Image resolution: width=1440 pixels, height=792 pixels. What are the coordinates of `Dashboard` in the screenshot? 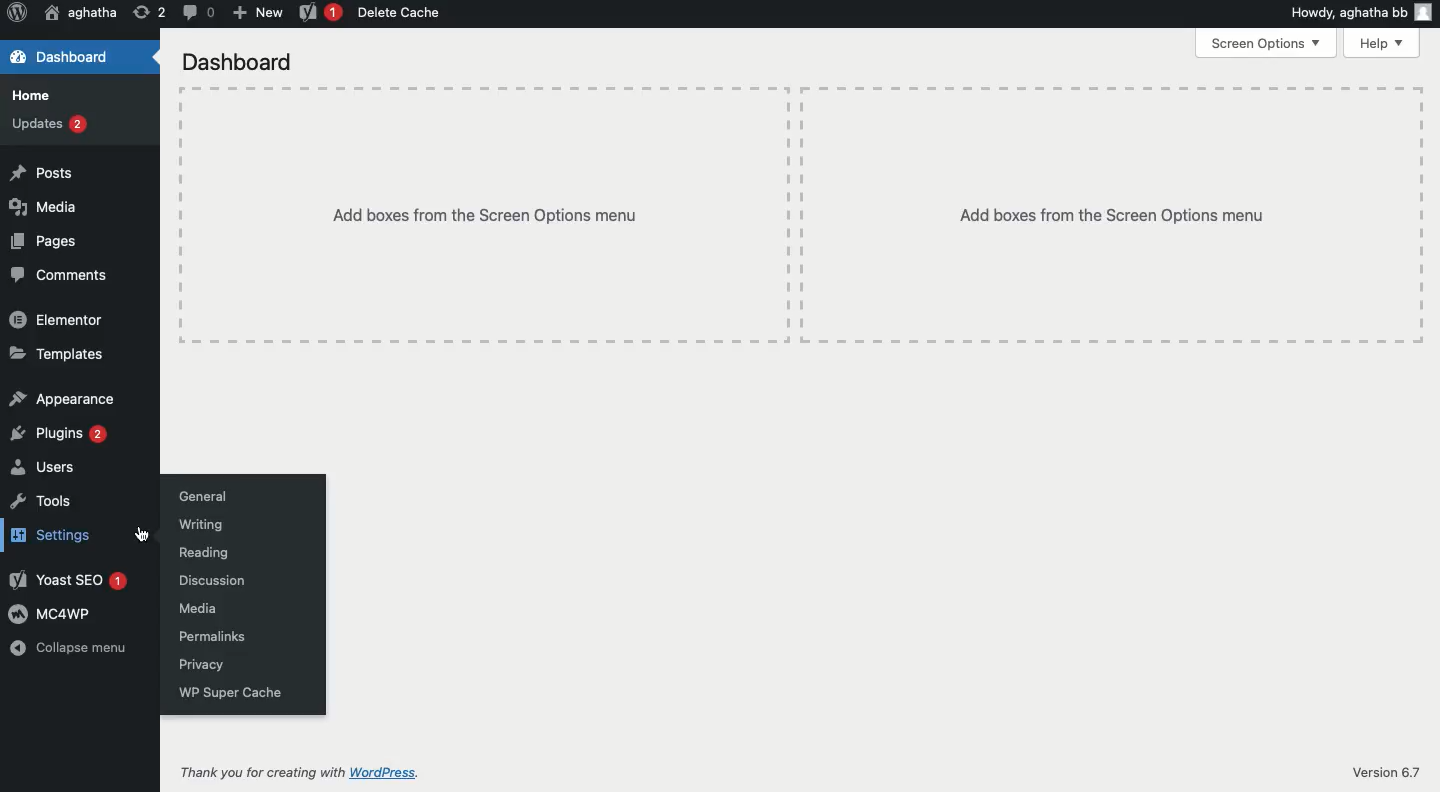 It's located at (57, 56).